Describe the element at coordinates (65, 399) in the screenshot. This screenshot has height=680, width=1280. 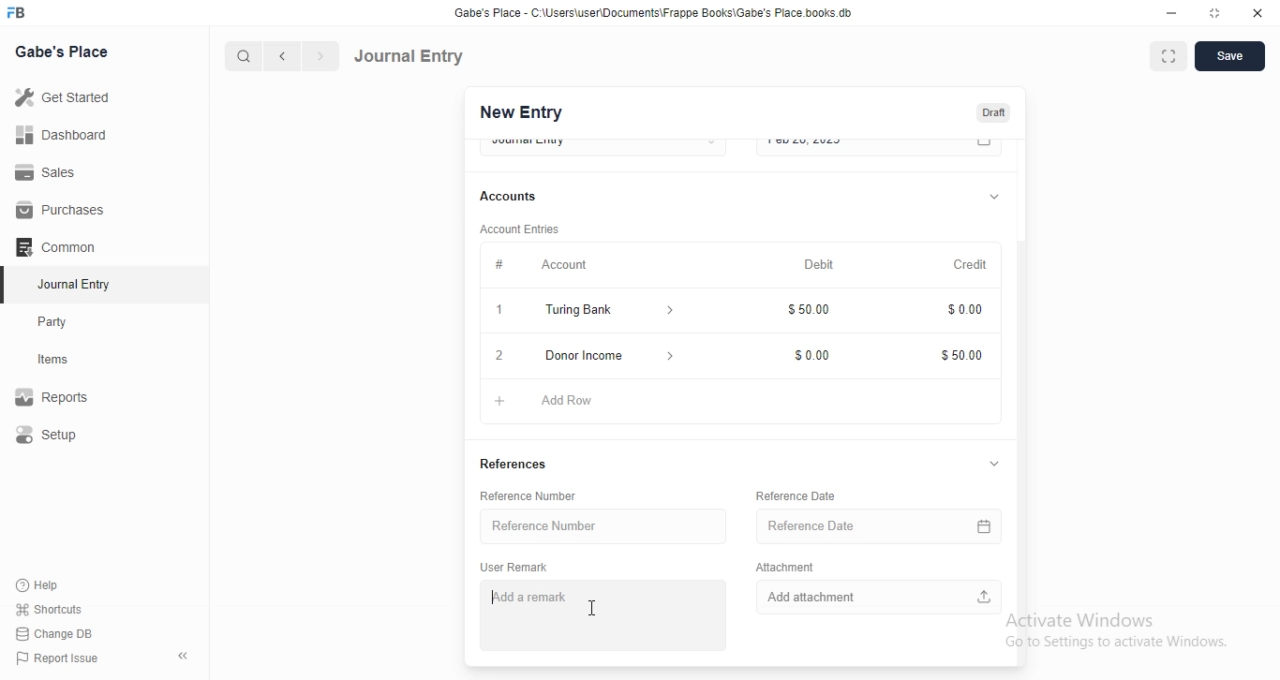
I see `Reports` at that location.